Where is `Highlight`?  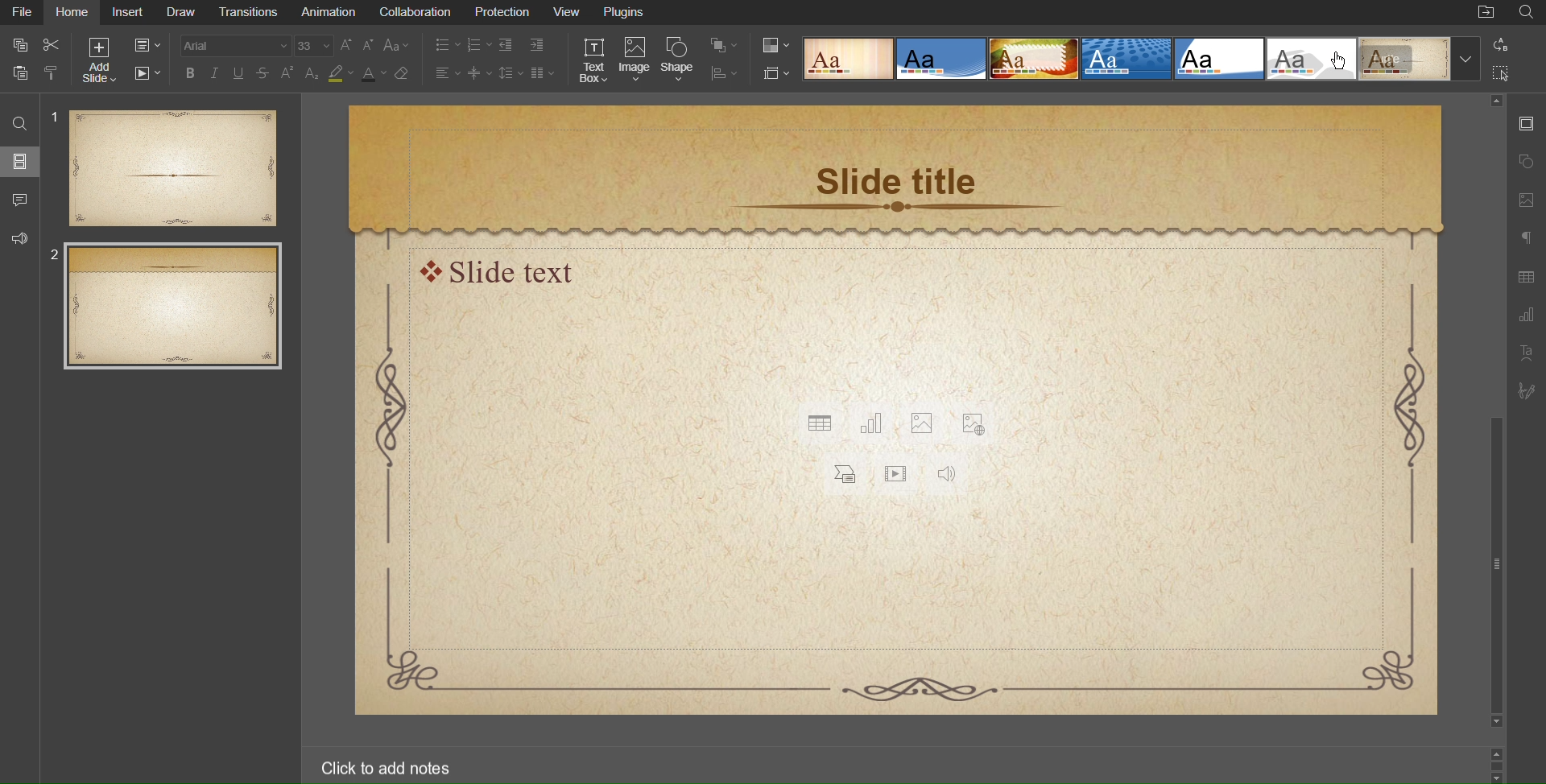
Highlight is located at coordinates (340, 74).